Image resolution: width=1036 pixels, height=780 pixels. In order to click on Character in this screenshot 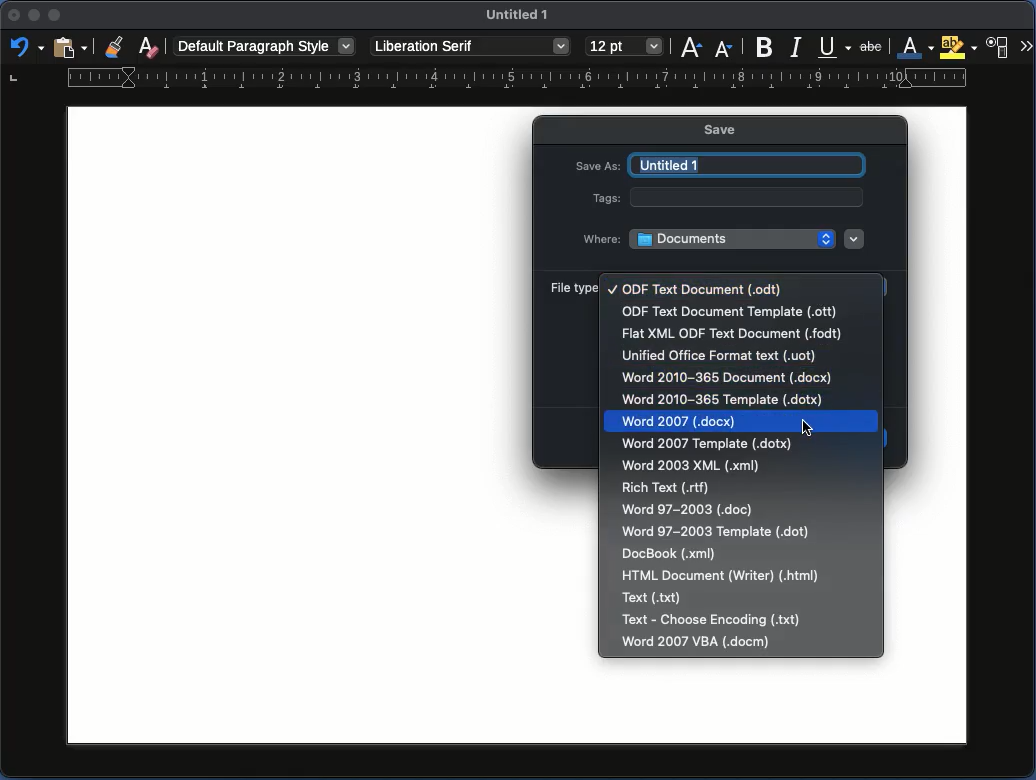, I will do `click(999, 47)`.